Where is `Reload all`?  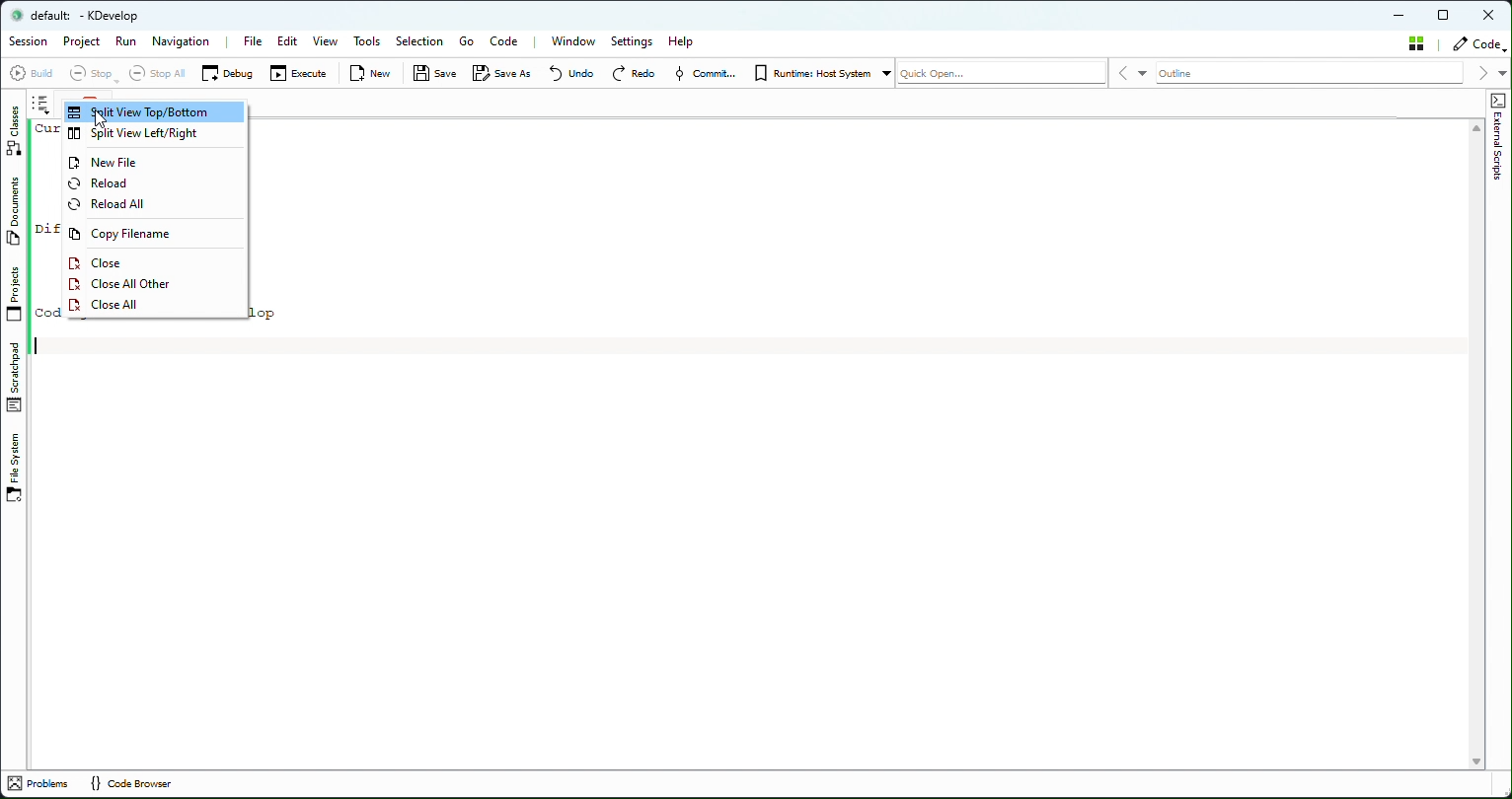
Reload all is located at coordinates (151, 207).